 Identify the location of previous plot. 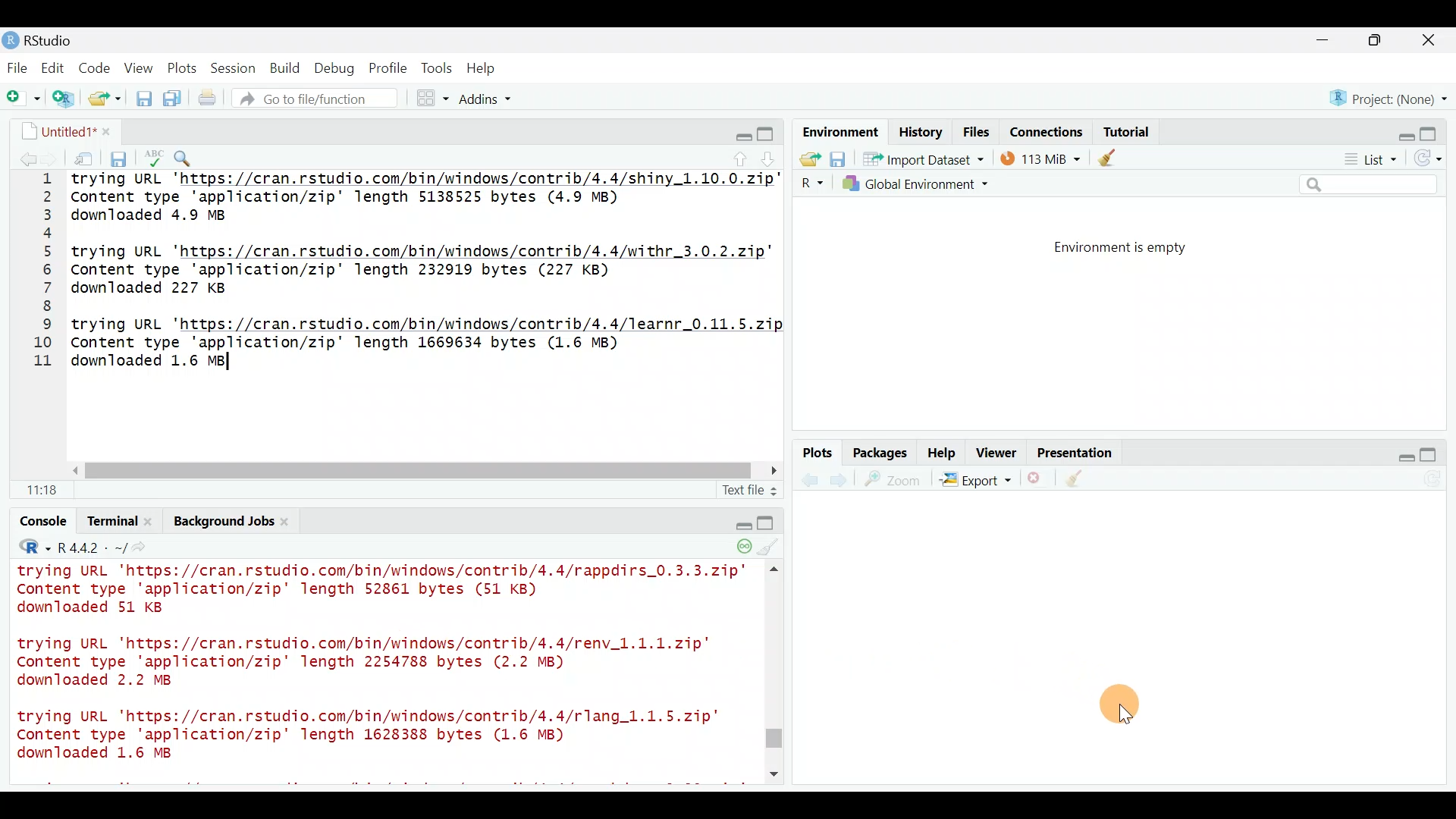
(843, 479).